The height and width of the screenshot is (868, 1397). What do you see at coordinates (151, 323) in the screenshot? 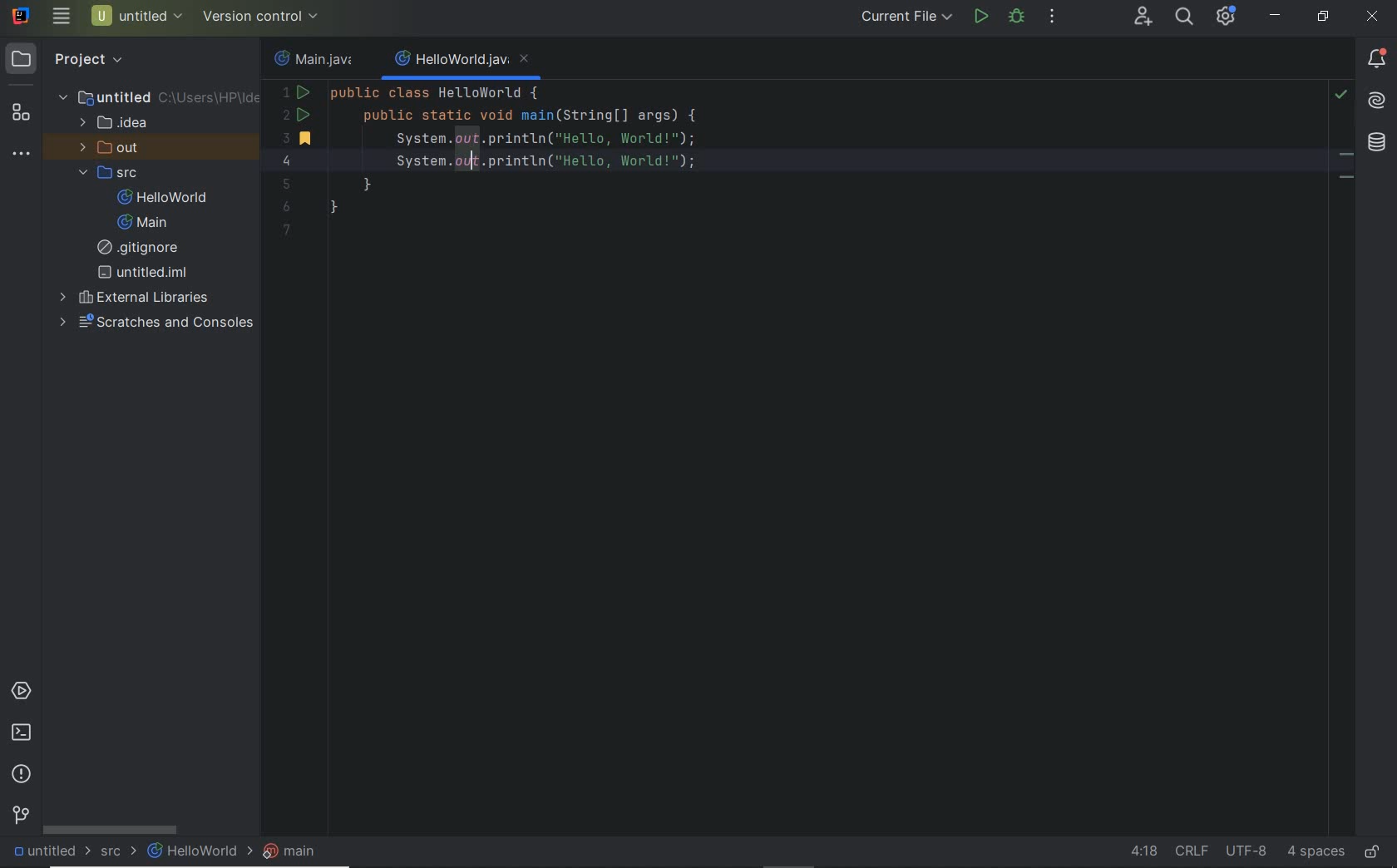
I see `scratches and consoles` at bounding box center [151, 323].